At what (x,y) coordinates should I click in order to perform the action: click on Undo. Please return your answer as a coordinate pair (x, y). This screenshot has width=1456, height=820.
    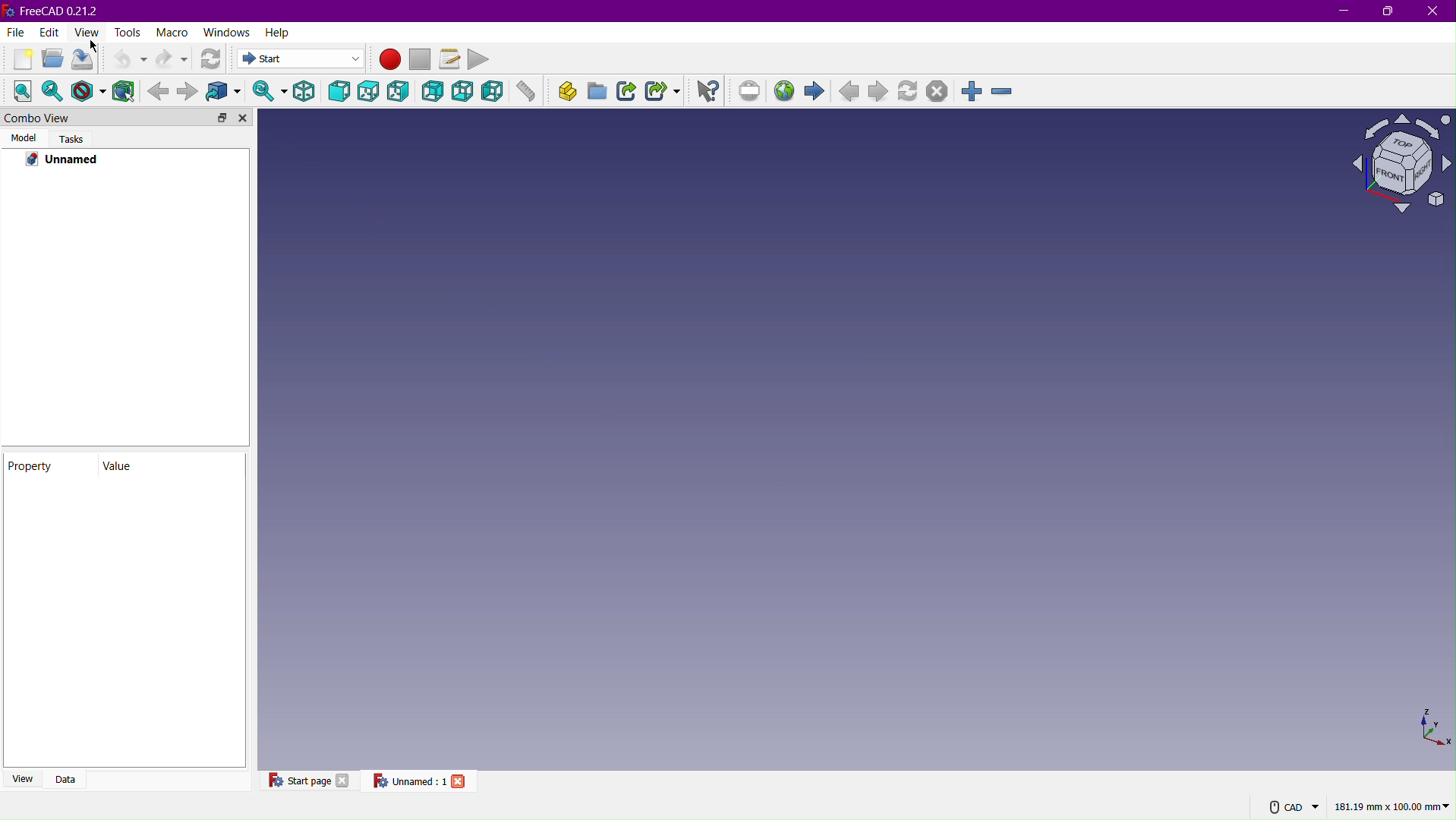
    Looking at the image, I should click on (127, 58).